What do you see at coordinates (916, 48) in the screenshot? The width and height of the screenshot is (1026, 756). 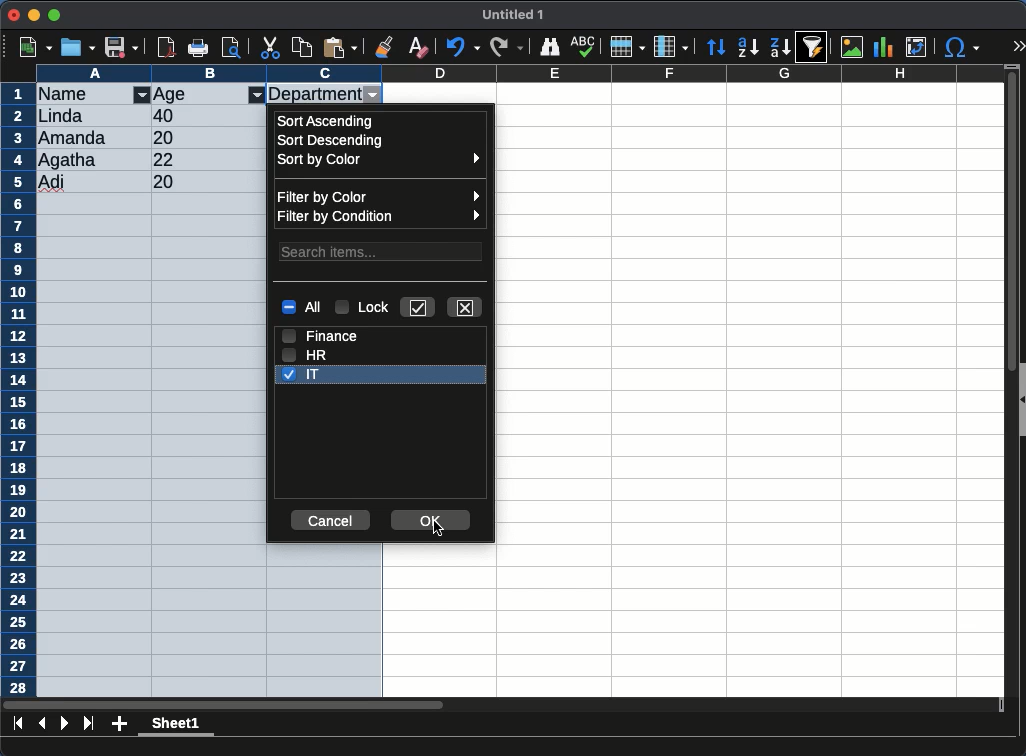 I see `pivot table` at bounding box center [916, 48].